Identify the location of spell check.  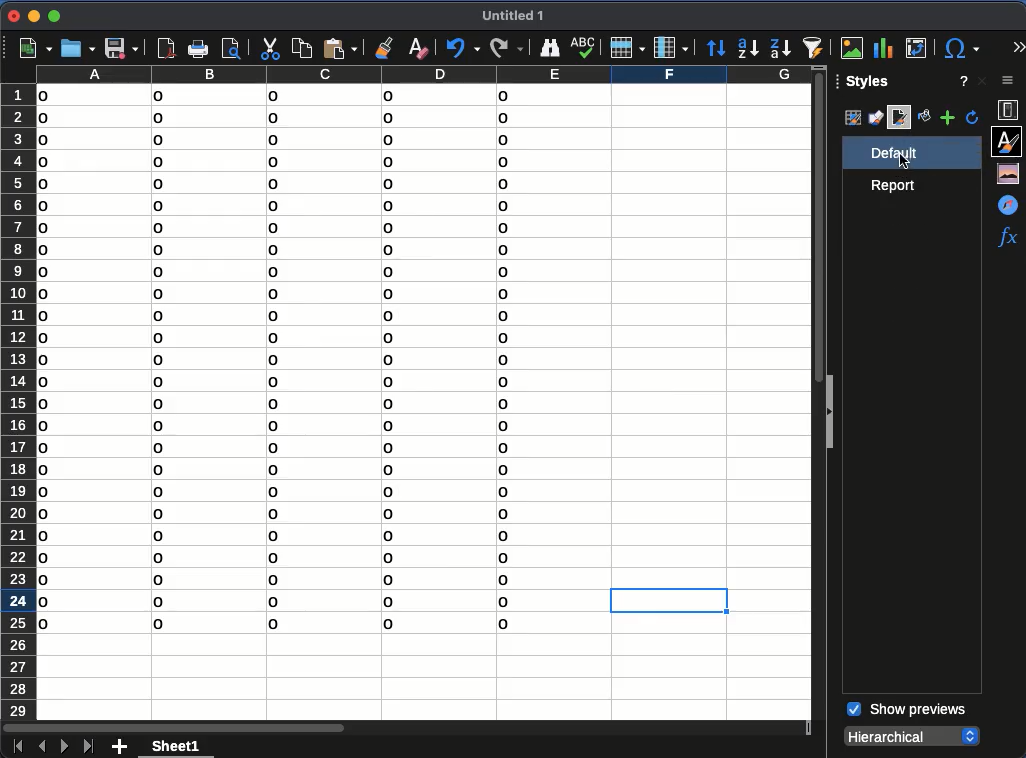
(583, 48).